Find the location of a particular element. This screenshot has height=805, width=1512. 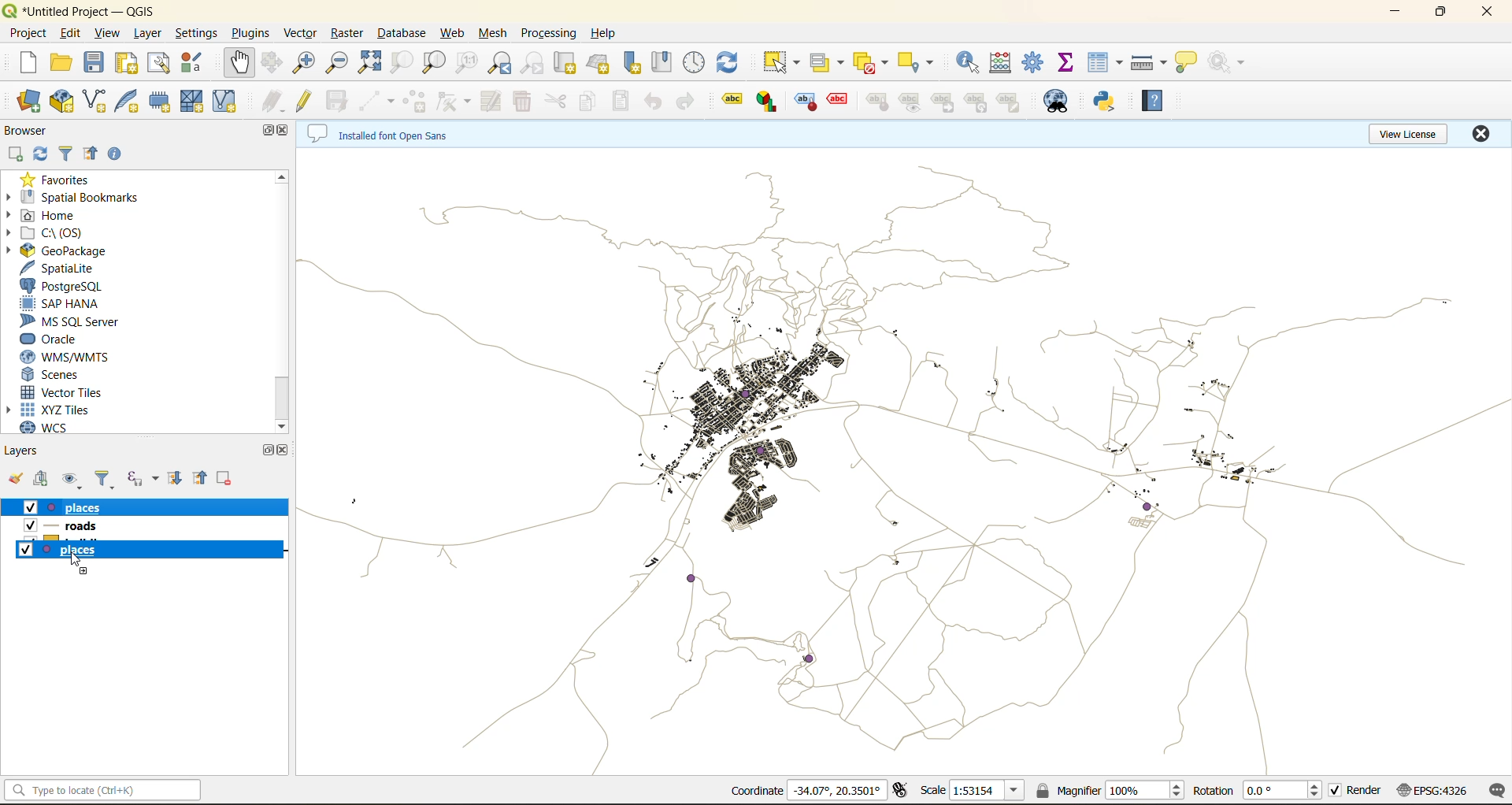

settings is located at coordinates (201, 35).